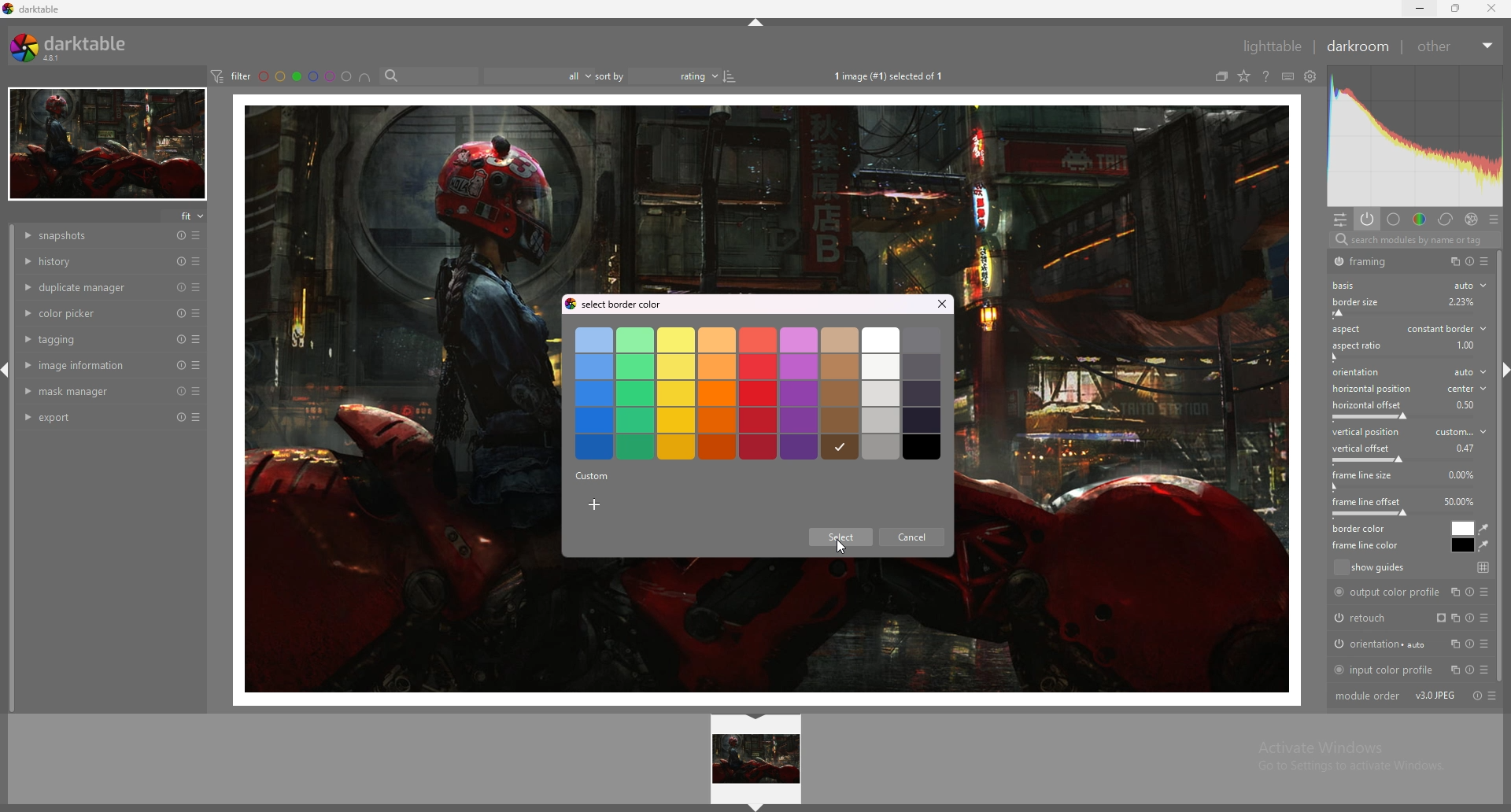 The image size is (1511, 812). I want to click on reset, so click(181, 339).